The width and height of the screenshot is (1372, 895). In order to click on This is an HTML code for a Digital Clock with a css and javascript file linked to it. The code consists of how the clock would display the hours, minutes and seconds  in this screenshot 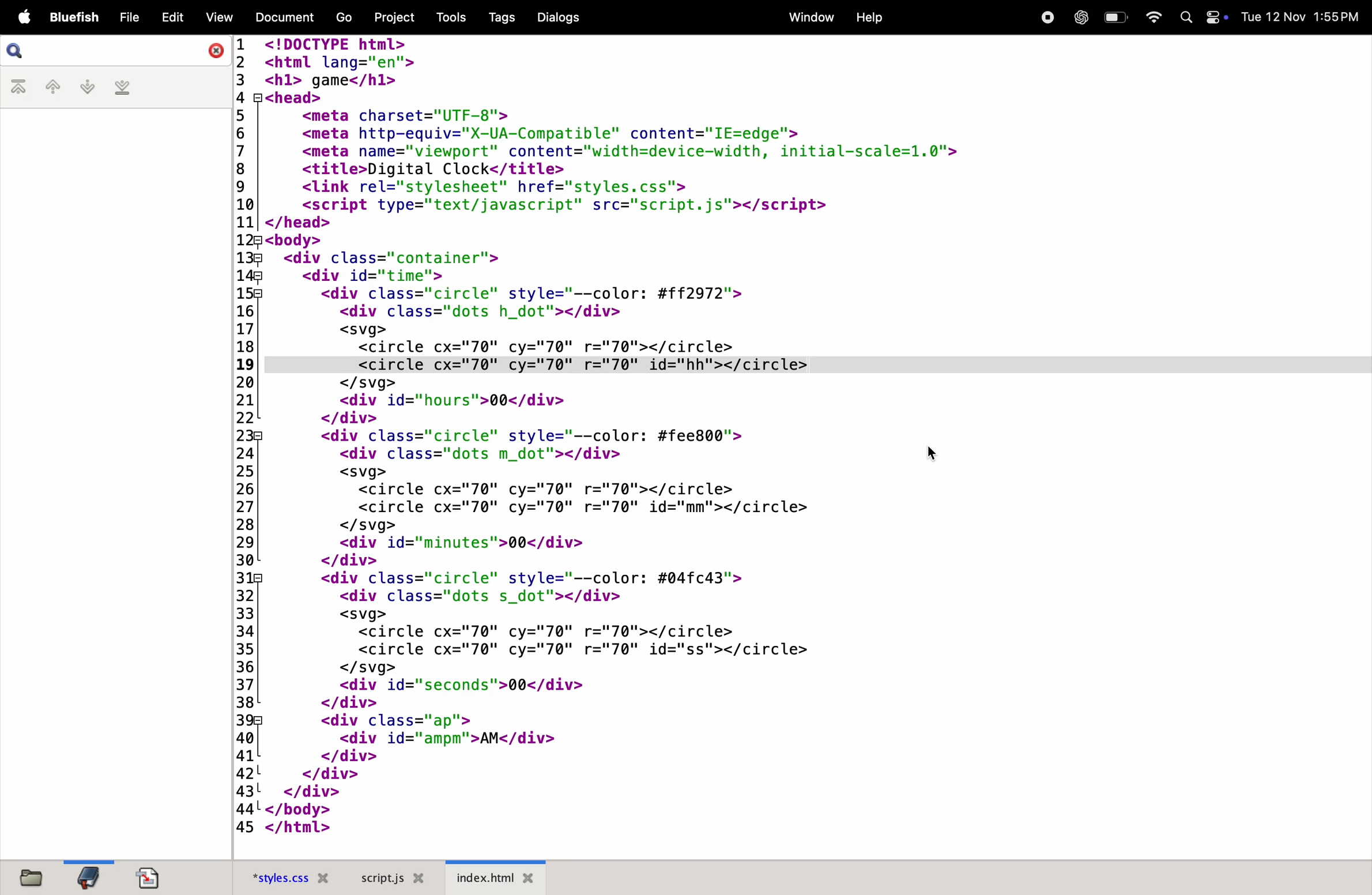, I will do `click(658, 437)`.